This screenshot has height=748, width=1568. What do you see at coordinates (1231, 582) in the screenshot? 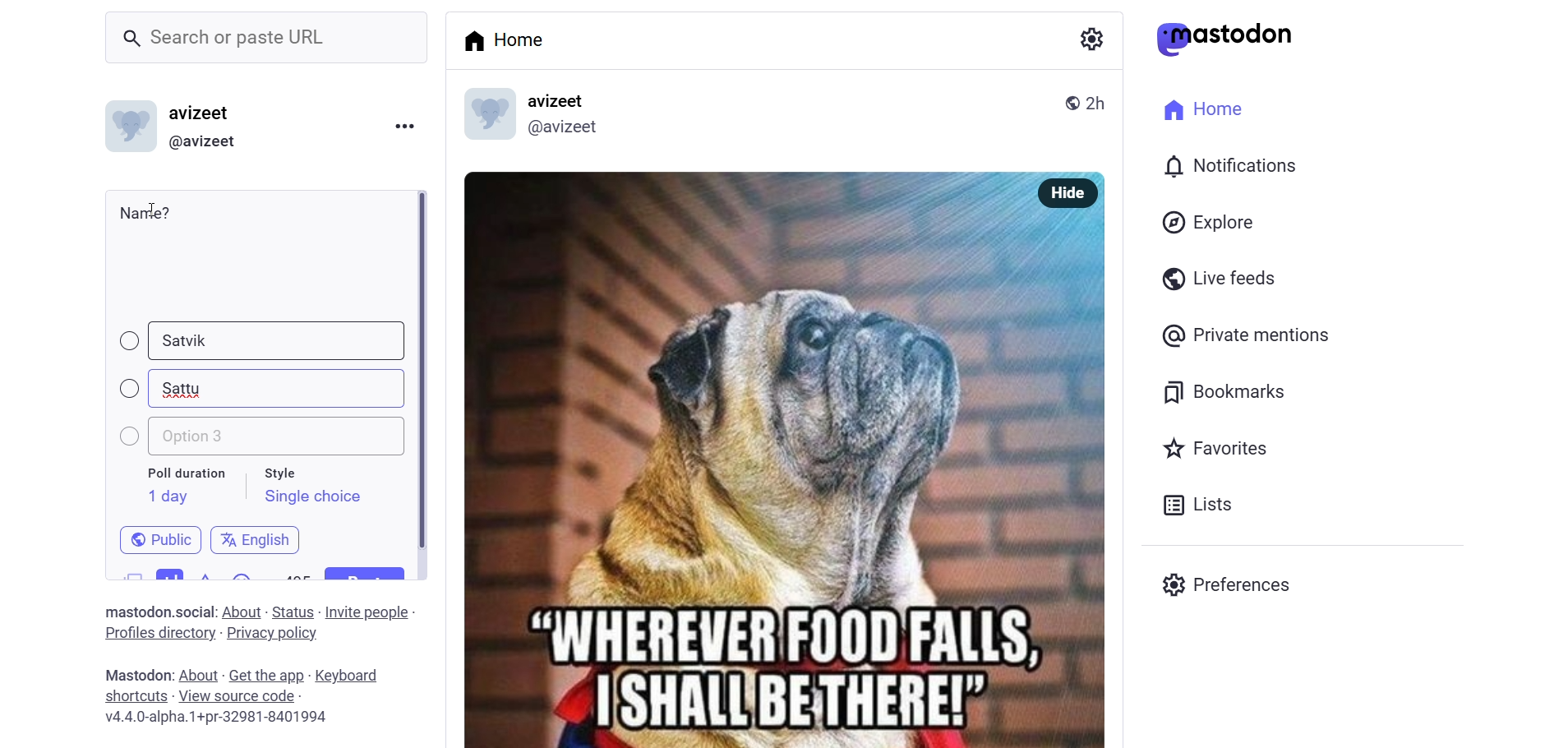
I see `preferences` at bounding box center [1231, 582].